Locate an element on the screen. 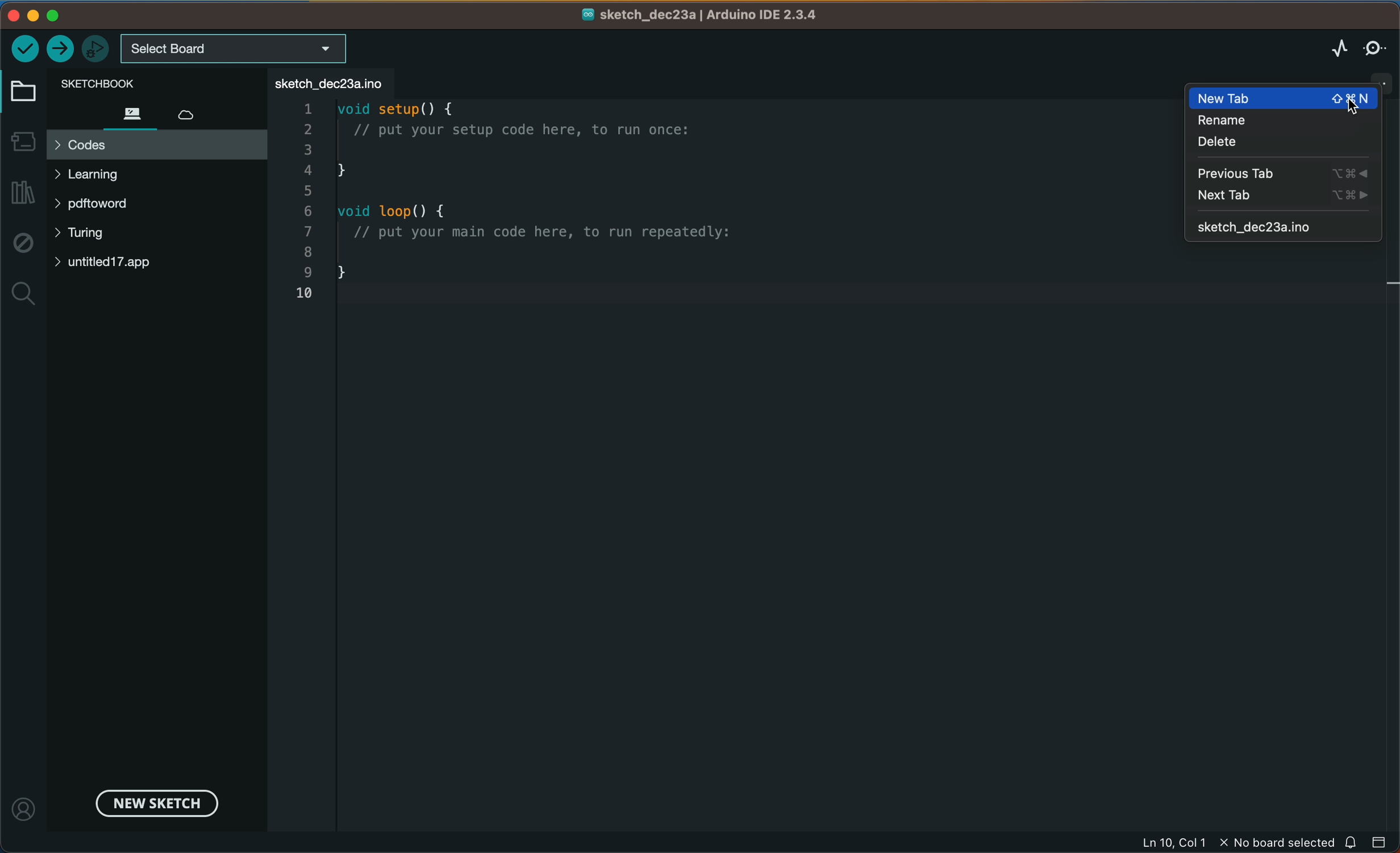  upload is located at coordinates (61, 49).